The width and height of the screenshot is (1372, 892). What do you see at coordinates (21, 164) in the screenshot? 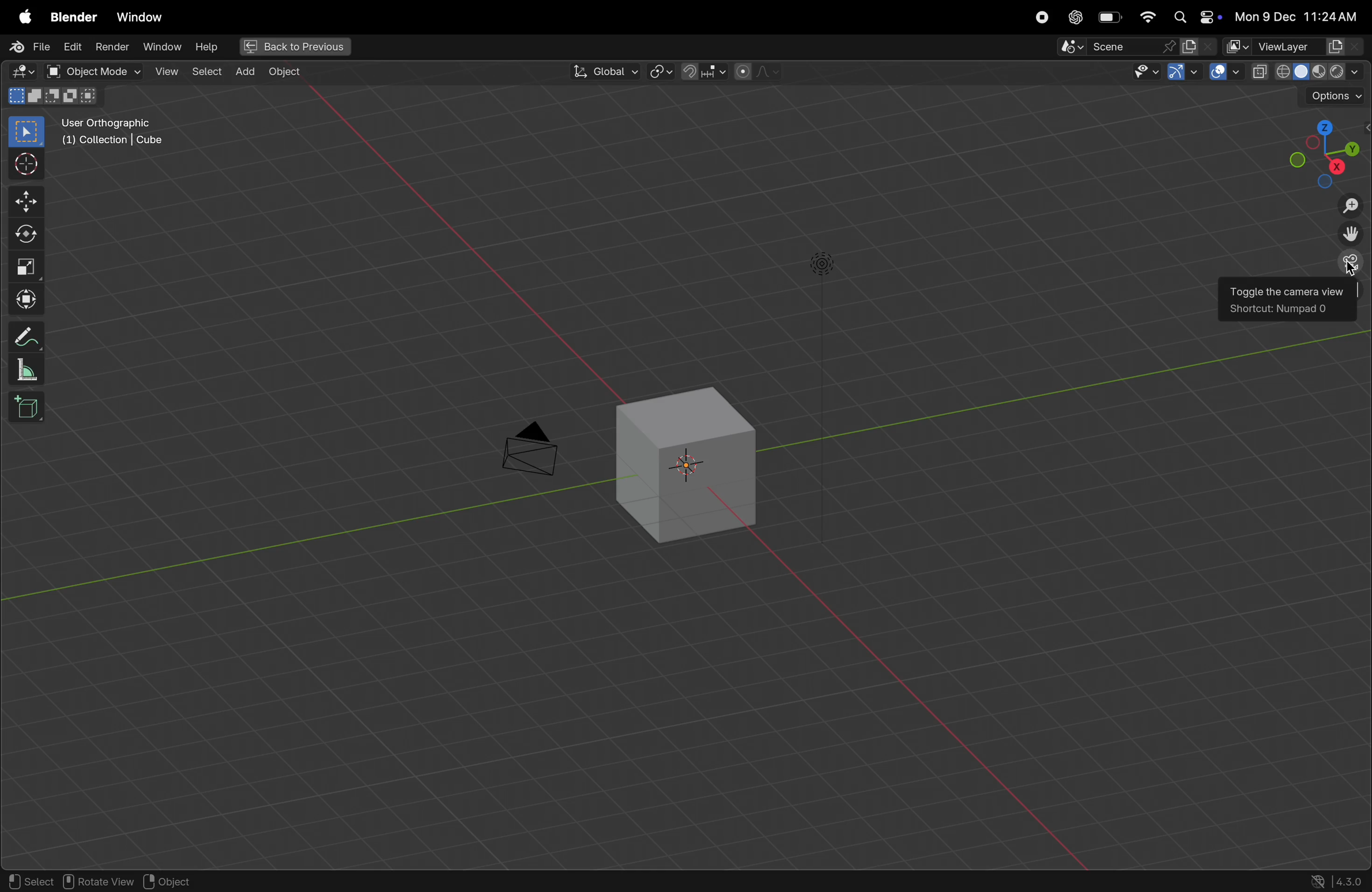
I see `cursor` at bounding box center [21, 164].